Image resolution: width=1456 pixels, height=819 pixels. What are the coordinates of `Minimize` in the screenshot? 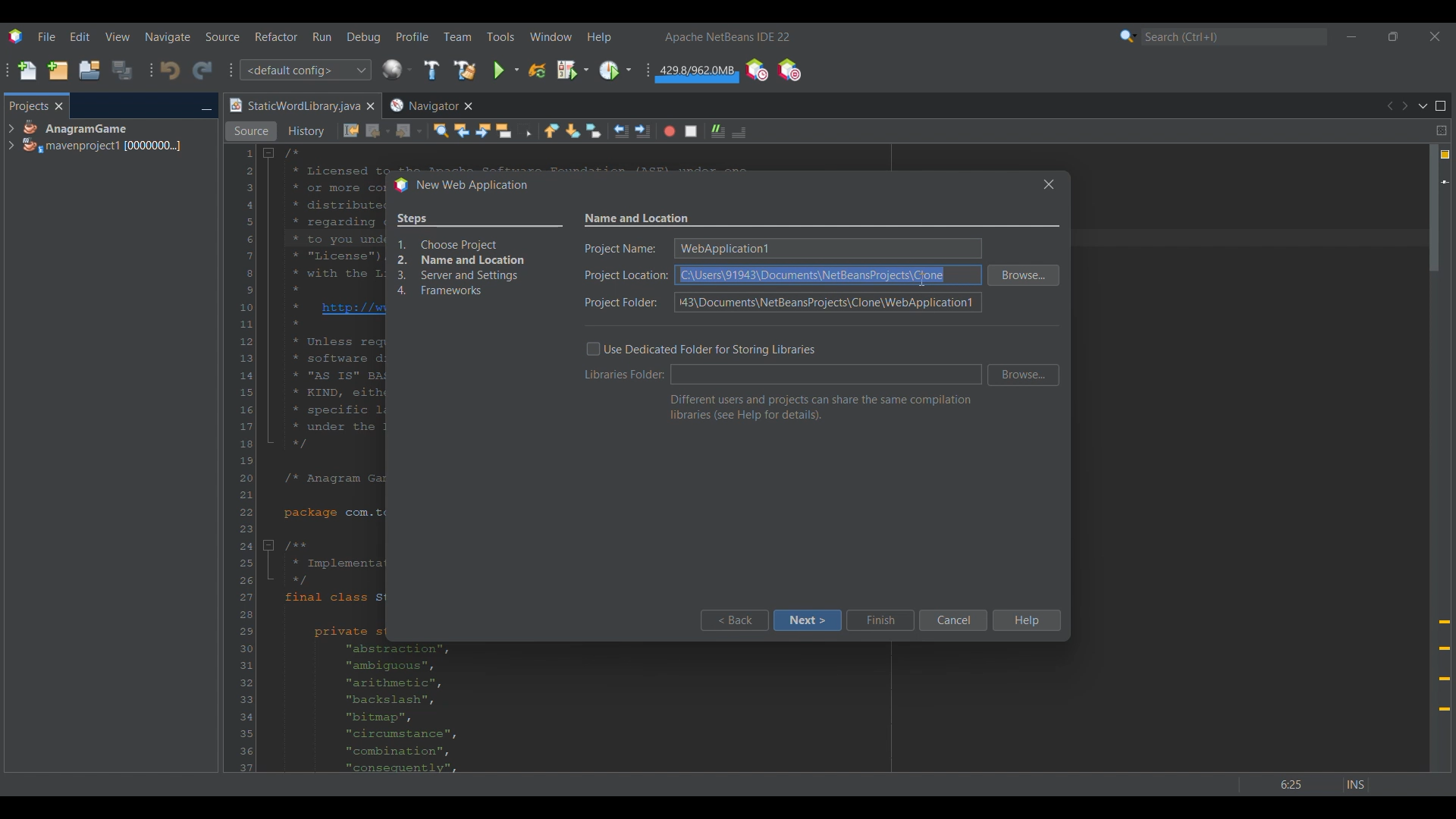 It's located at (206, 107).